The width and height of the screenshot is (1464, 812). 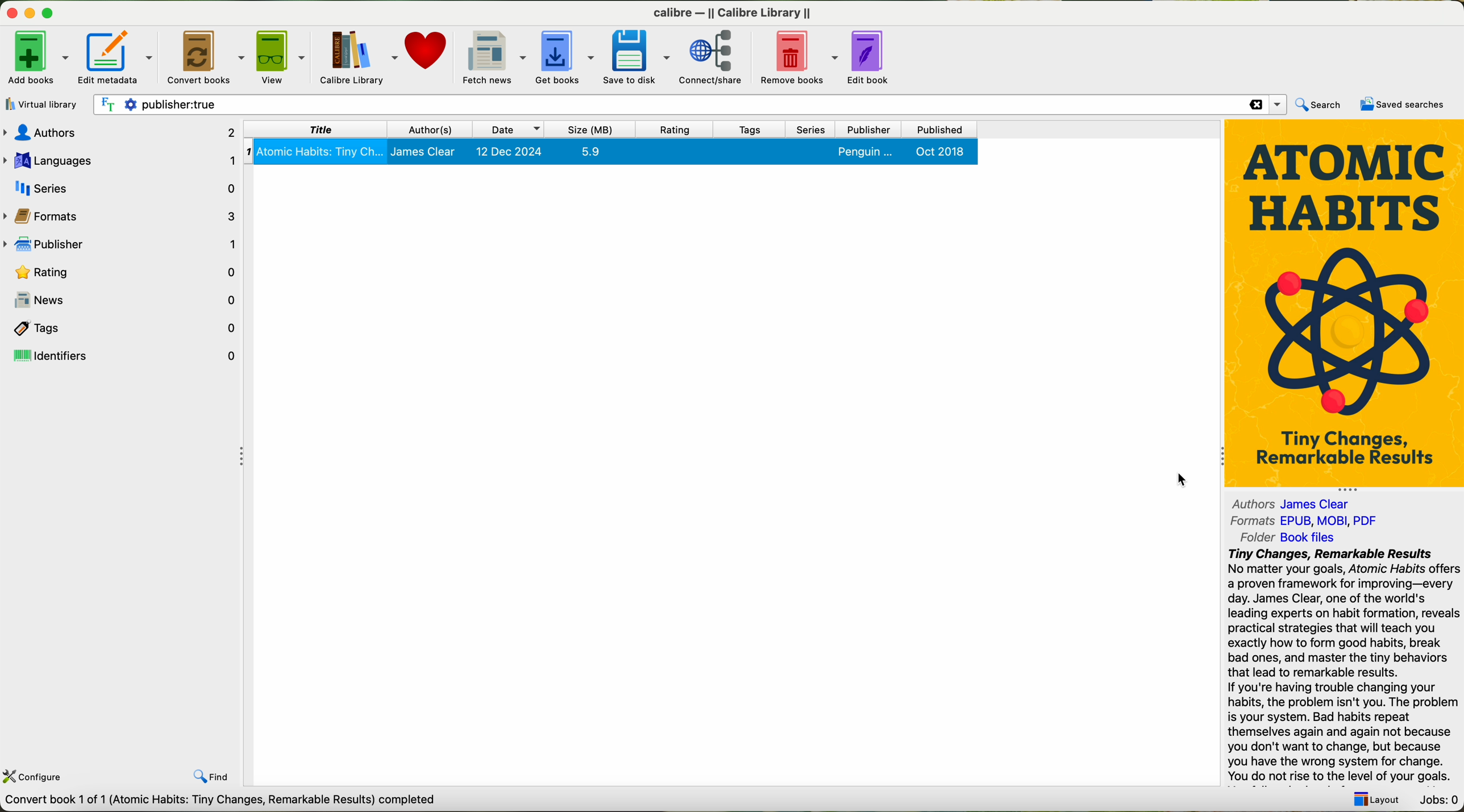 I want to click on series, so click(x=810, y=130).